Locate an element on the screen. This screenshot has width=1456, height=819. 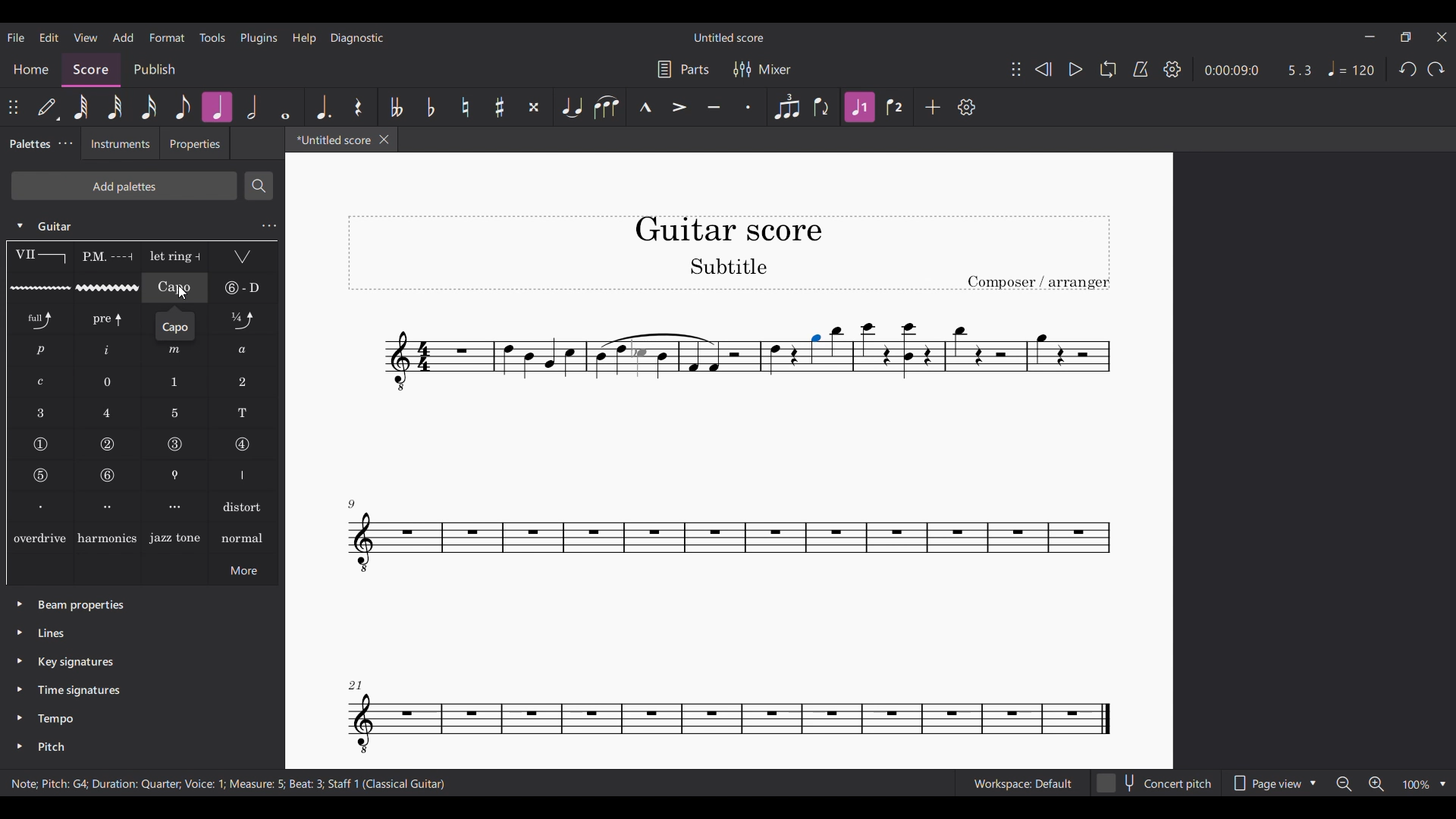
Tuplet is located at coordinates (786, 107).